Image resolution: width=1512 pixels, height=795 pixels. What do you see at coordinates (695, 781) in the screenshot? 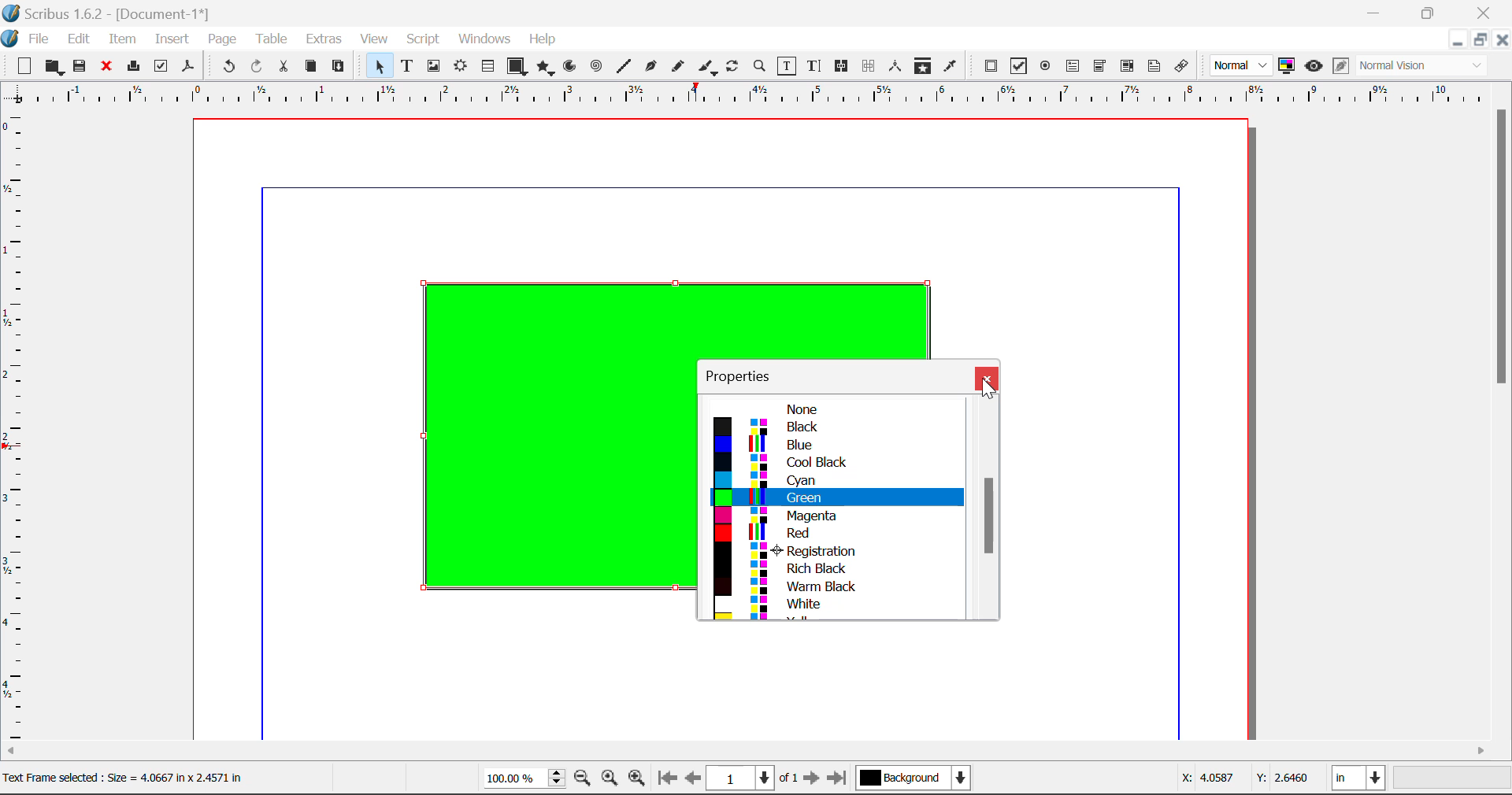
I see `Previous Page` at bounding box center [695, 781].